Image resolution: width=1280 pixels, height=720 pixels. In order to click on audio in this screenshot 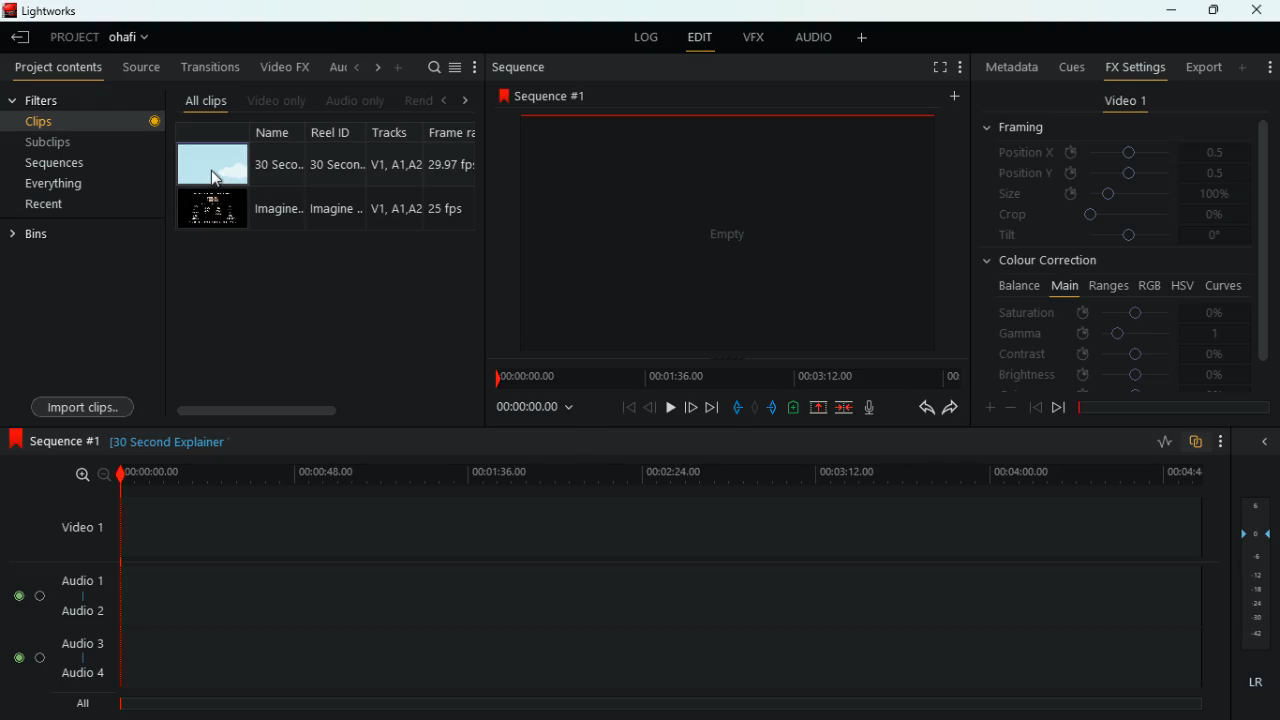, I will do `click(810, 38)`.